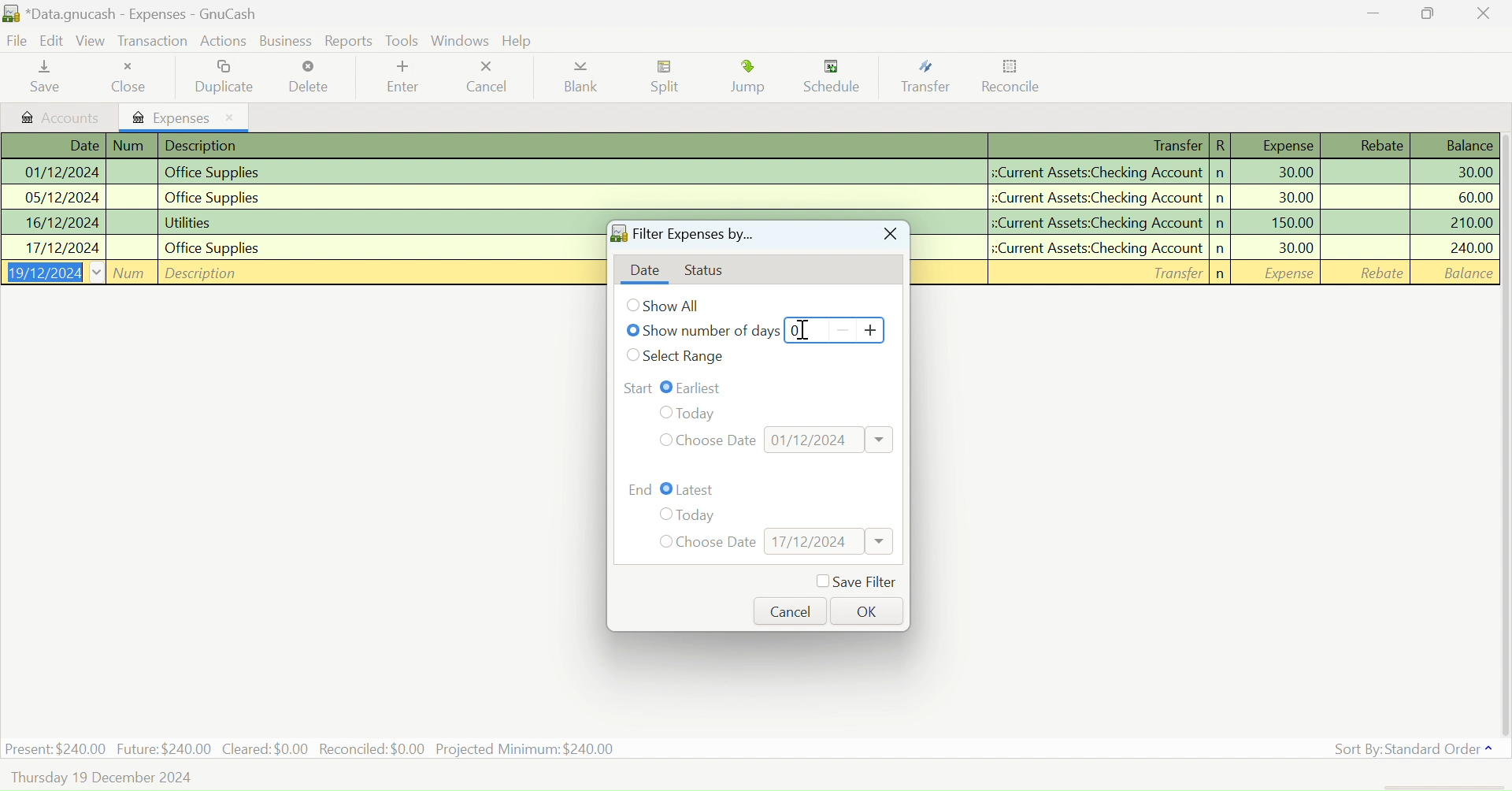 The image size is (1512, 791). I want to click on Edit, so click(53, 42).